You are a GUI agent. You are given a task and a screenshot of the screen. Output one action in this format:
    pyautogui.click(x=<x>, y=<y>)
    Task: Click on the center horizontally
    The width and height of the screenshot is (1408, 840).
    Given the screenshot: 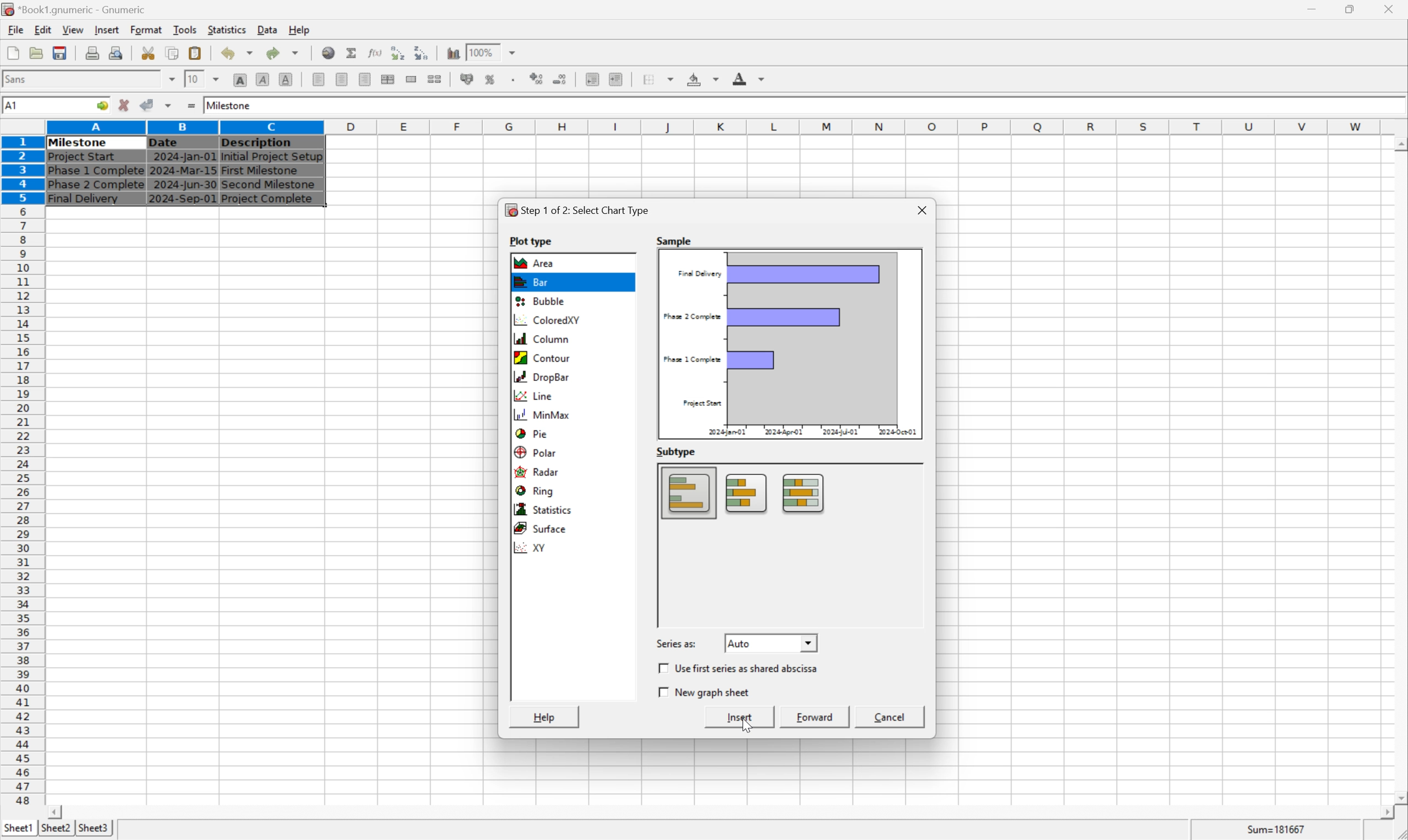 What is the action you would take?
    pyautogui.click(x=341, y=80)
    